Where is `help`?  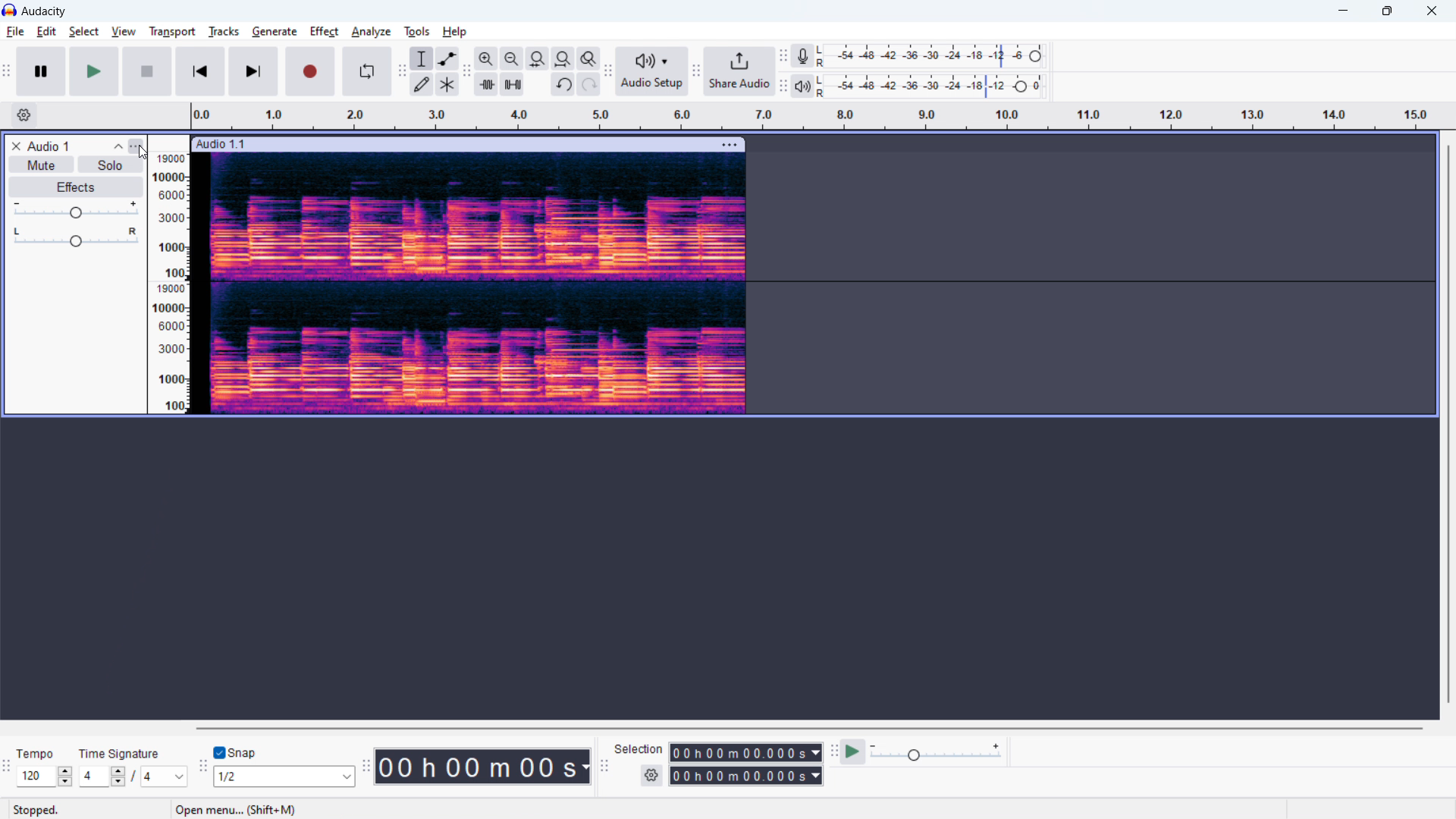
help is located at coordinates (456, 33).